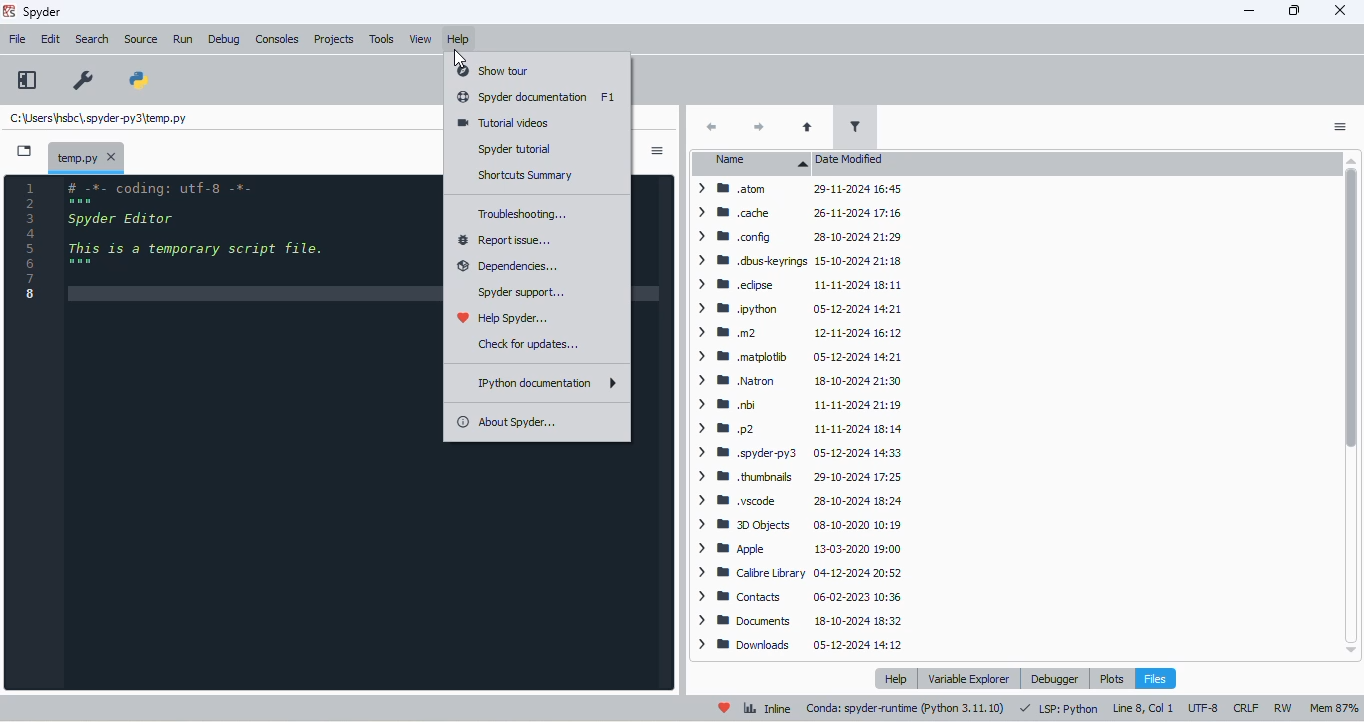 The image size is (1364, 722). Describe the element at coordinates (19, 39) in the screenshot. I see `file` at that location.